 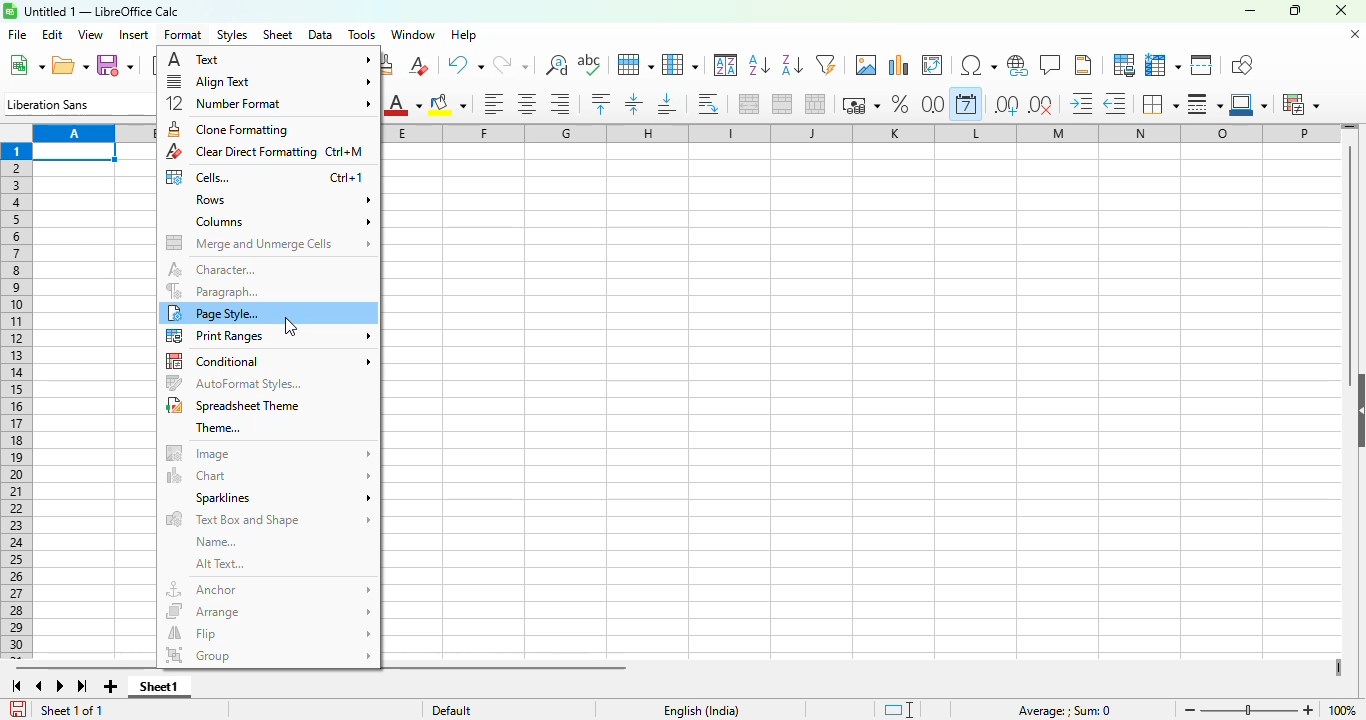 I want to click on rows, so click(x=282, y=200).